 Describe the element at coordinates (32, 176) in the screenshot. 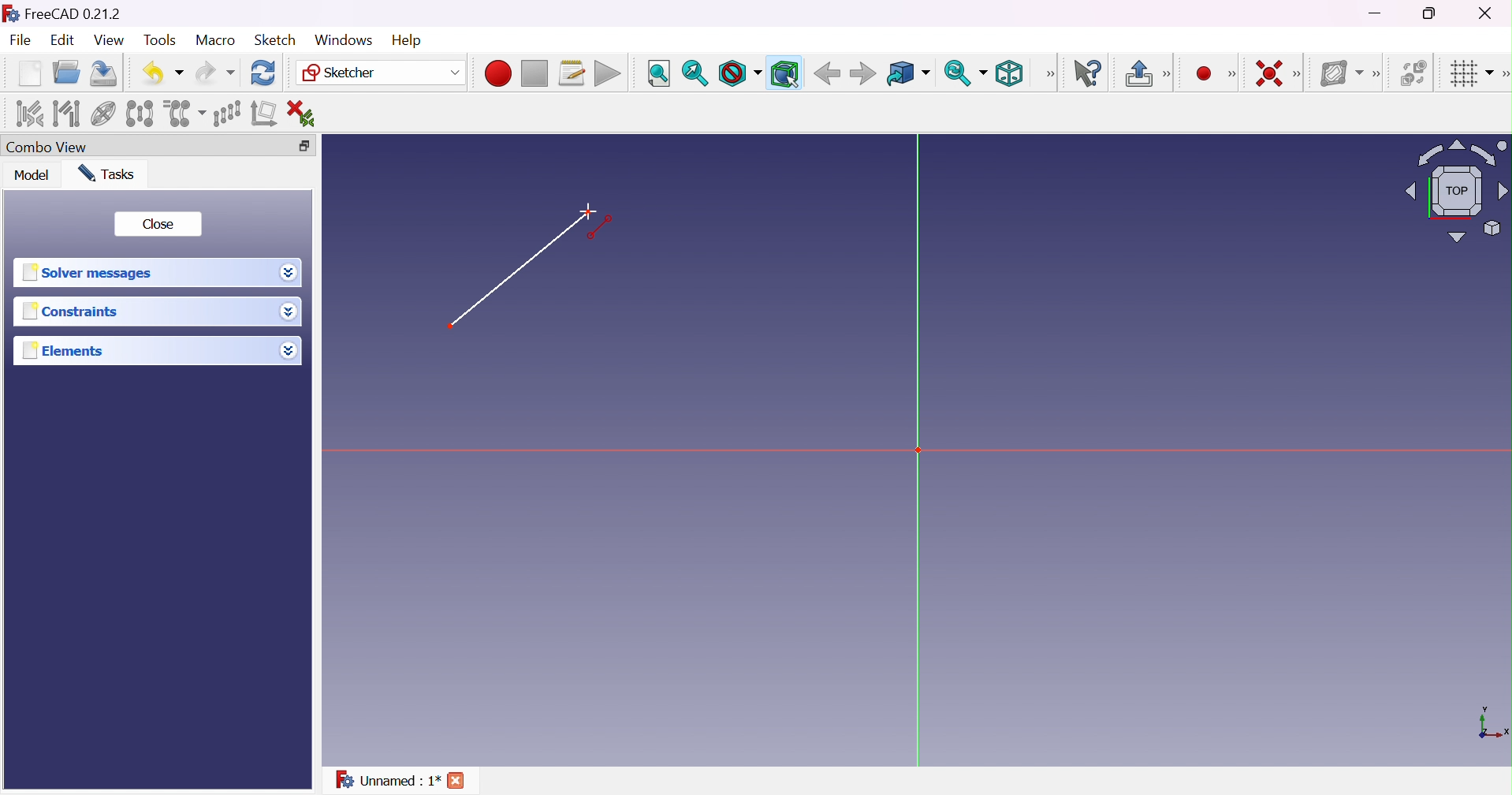

I see `Model` at that location.